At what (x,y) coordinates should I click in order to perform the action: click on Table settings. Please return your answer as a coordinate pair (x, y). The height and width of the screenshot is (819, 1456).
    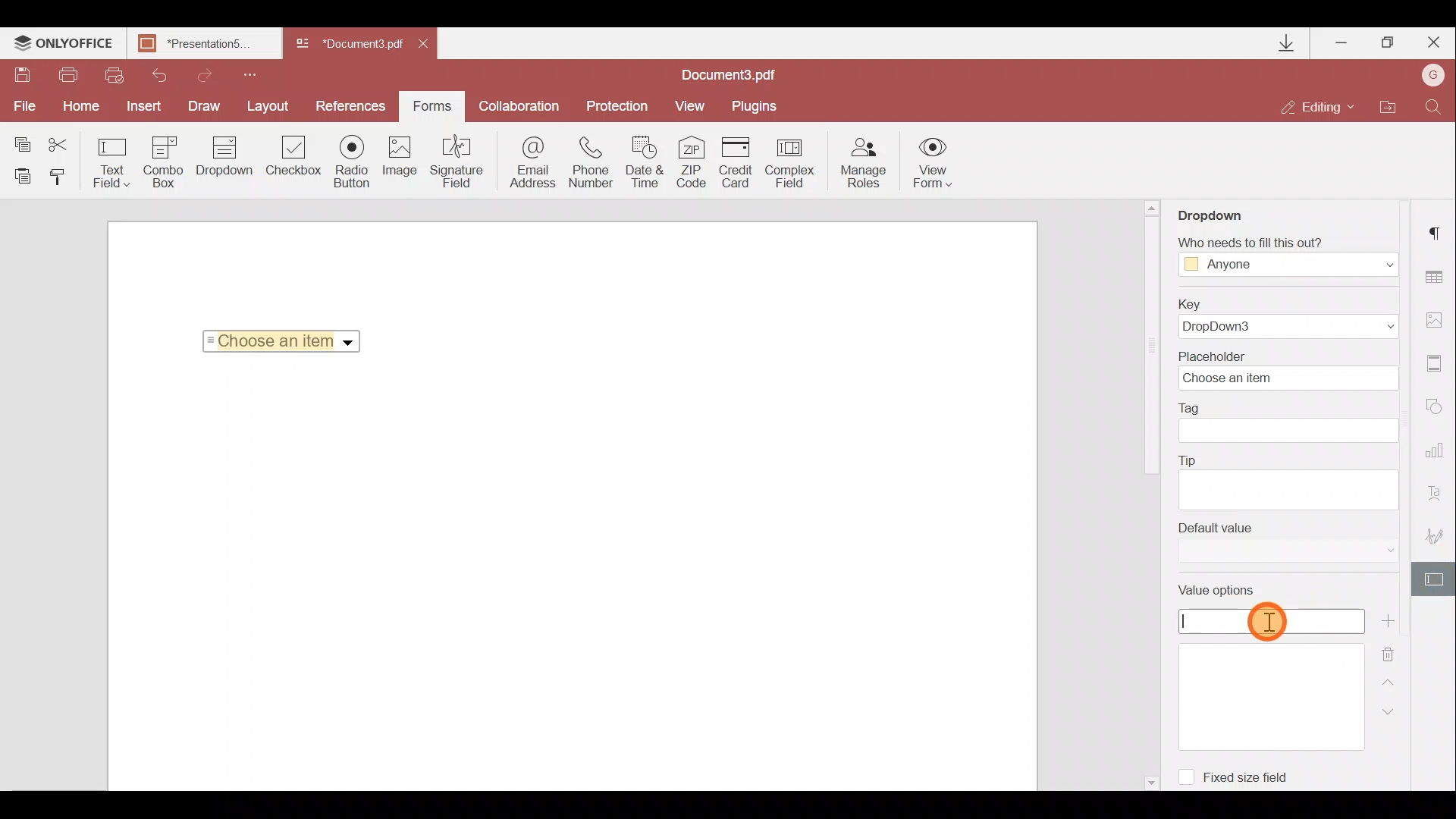
    Looking at the image, I should click on (1441, 277).